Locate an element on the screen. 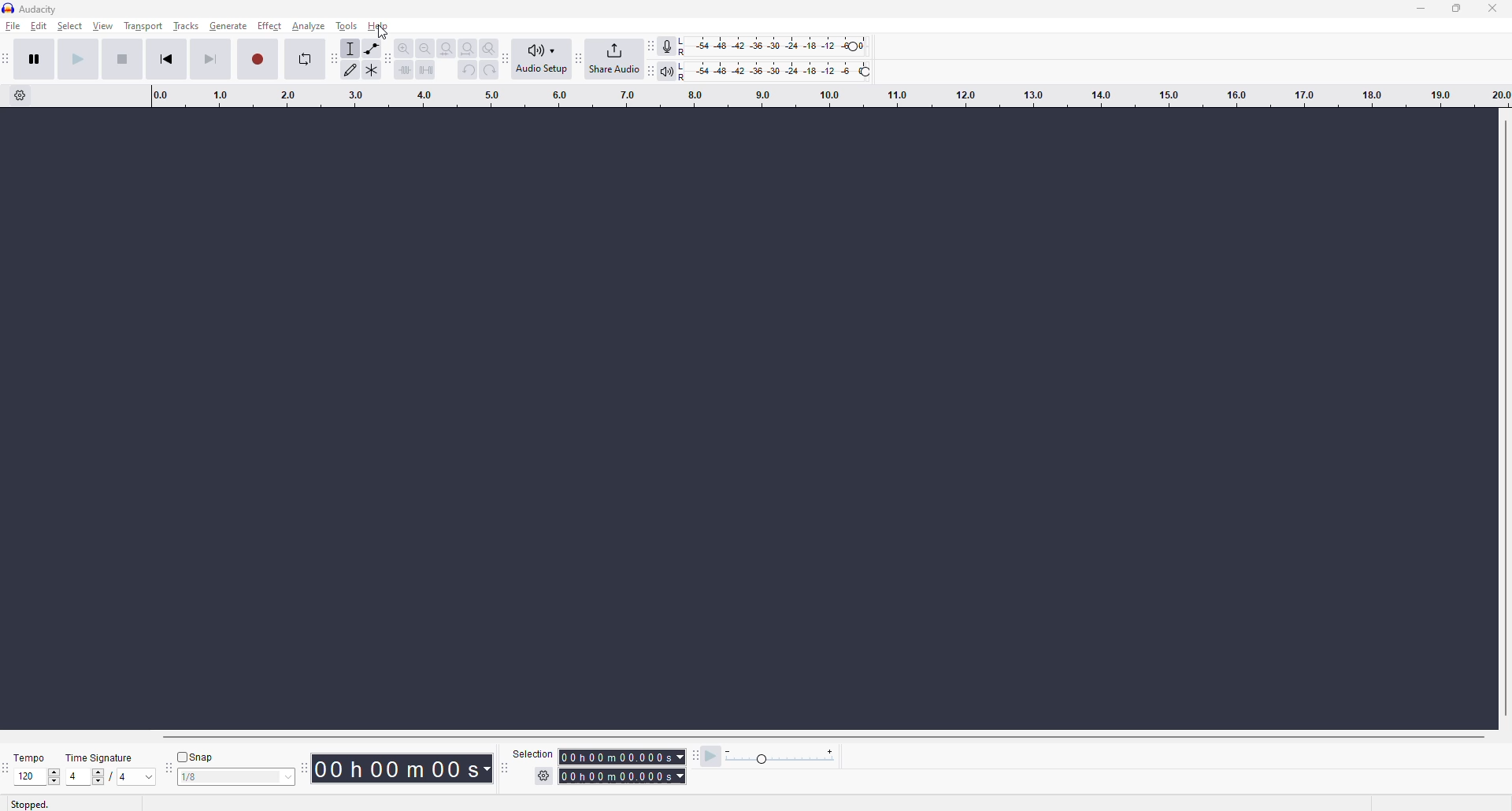  help is located at coordinates (383, 28).